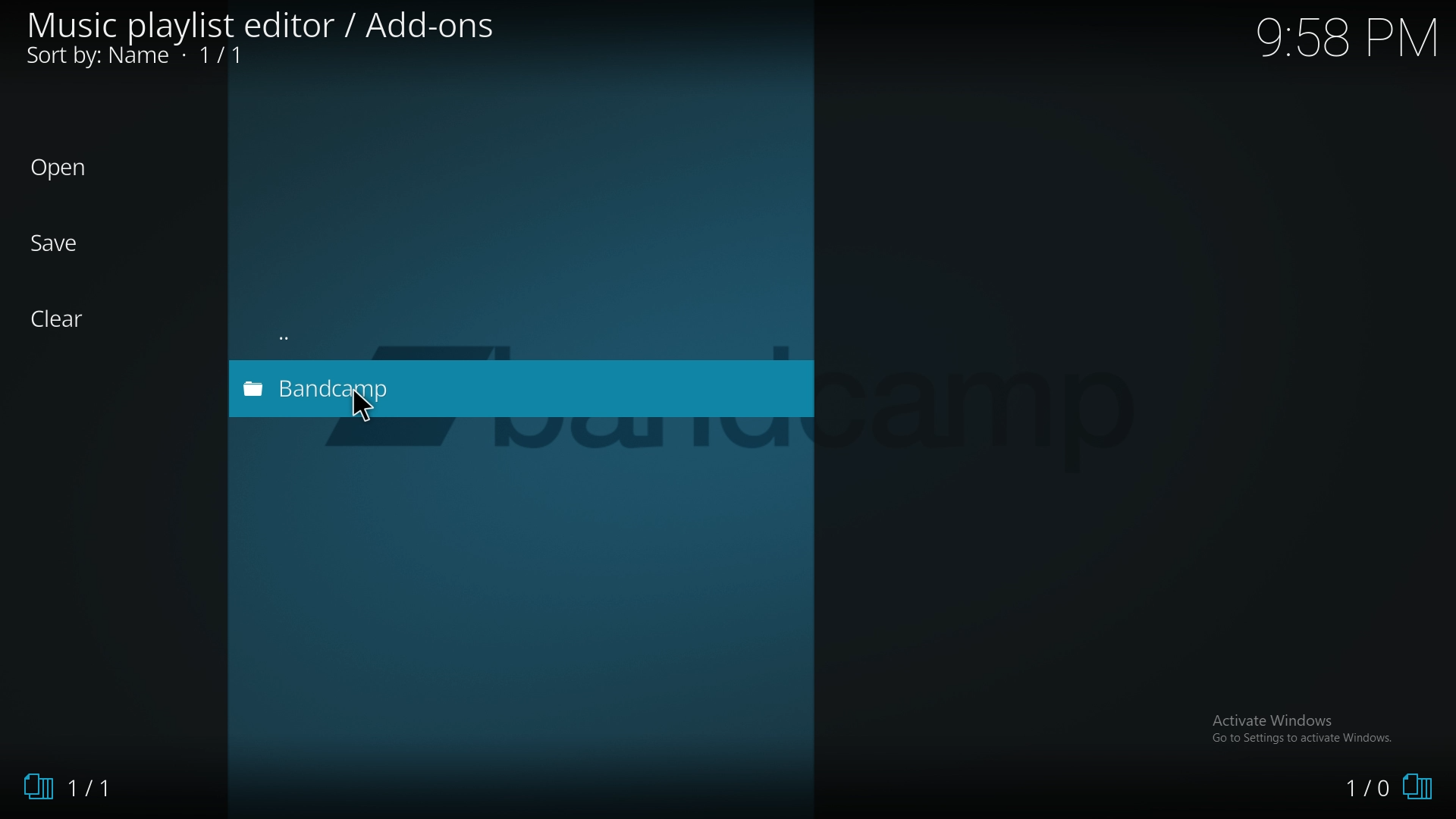 The image size is (1456, 819). Describe the element at coordinates (902, 410) in the screenshot. I see `Camp` at that location.